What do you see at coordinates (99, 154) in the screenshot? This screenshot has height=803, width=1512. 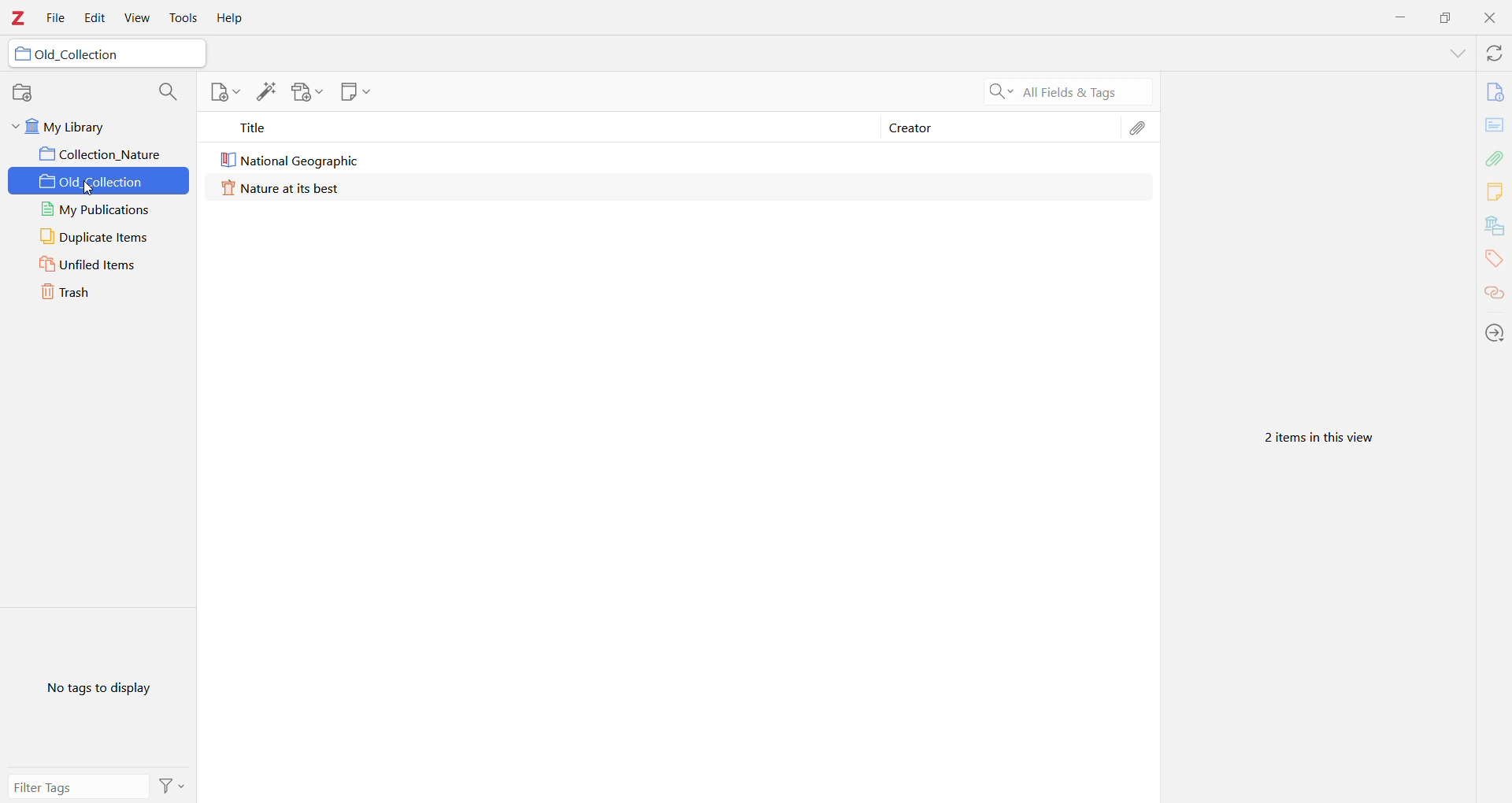 I see `Collection_Nature` at bounding box center [99, 154].